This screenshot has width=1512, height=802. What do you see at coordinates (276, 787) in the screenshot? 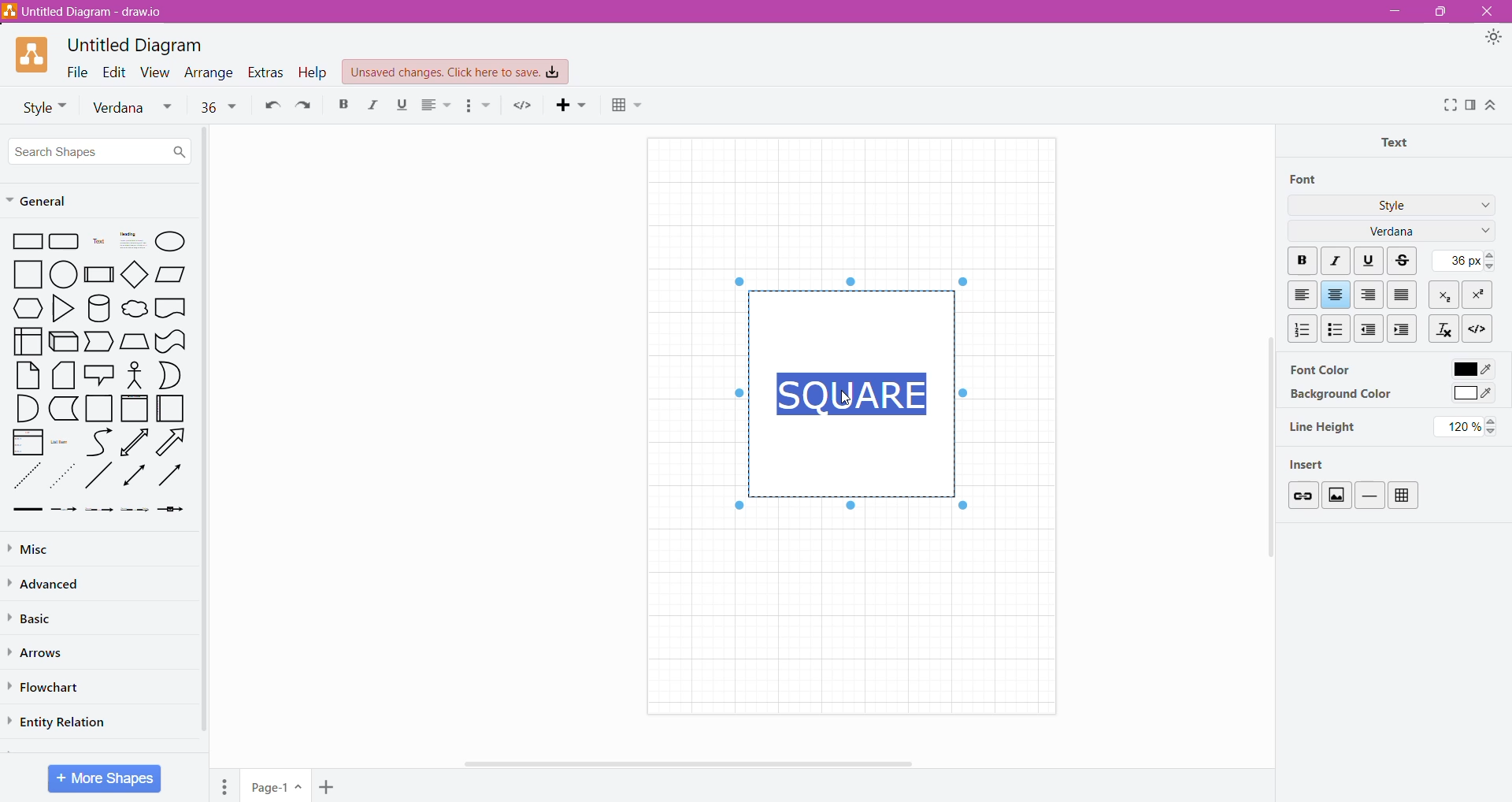
I see `Page Name` at bounding box center [276, 787].